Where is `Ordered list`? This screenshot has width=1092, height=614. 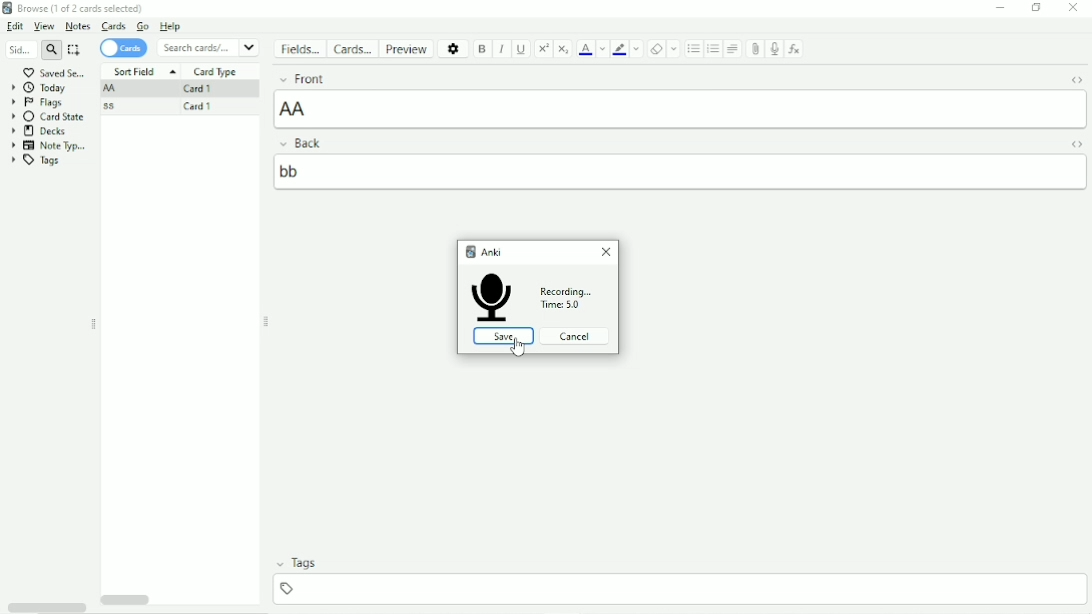
Ordered list is located at coordinates (714, 49).